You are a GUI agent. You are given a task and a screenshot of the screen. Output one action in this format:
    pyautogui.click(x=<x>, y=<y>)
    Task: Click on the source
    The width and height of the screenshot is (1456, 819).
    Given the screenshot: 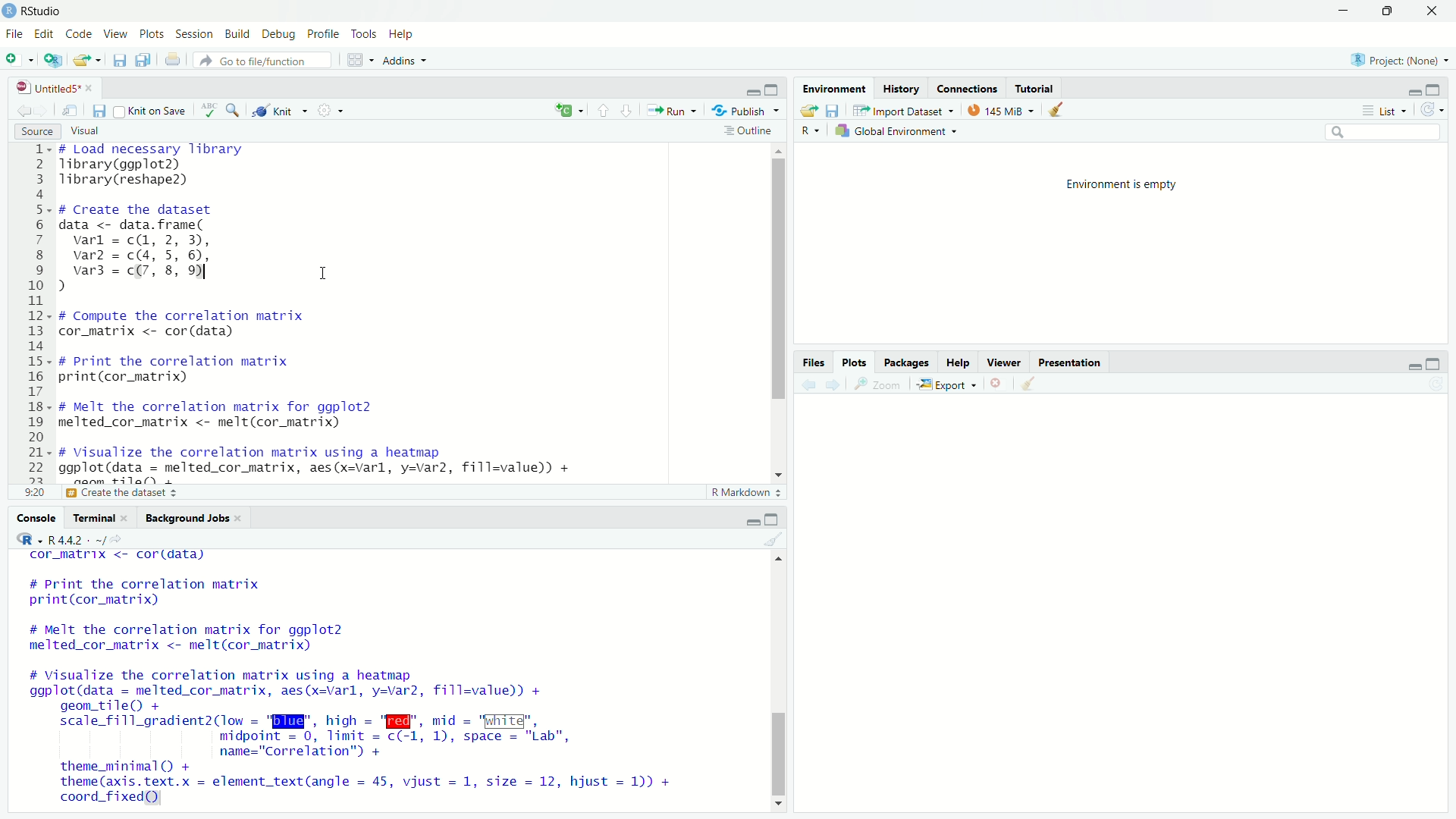 What is the action you would take?
    pyautogui.click(x=37, y=131)
    